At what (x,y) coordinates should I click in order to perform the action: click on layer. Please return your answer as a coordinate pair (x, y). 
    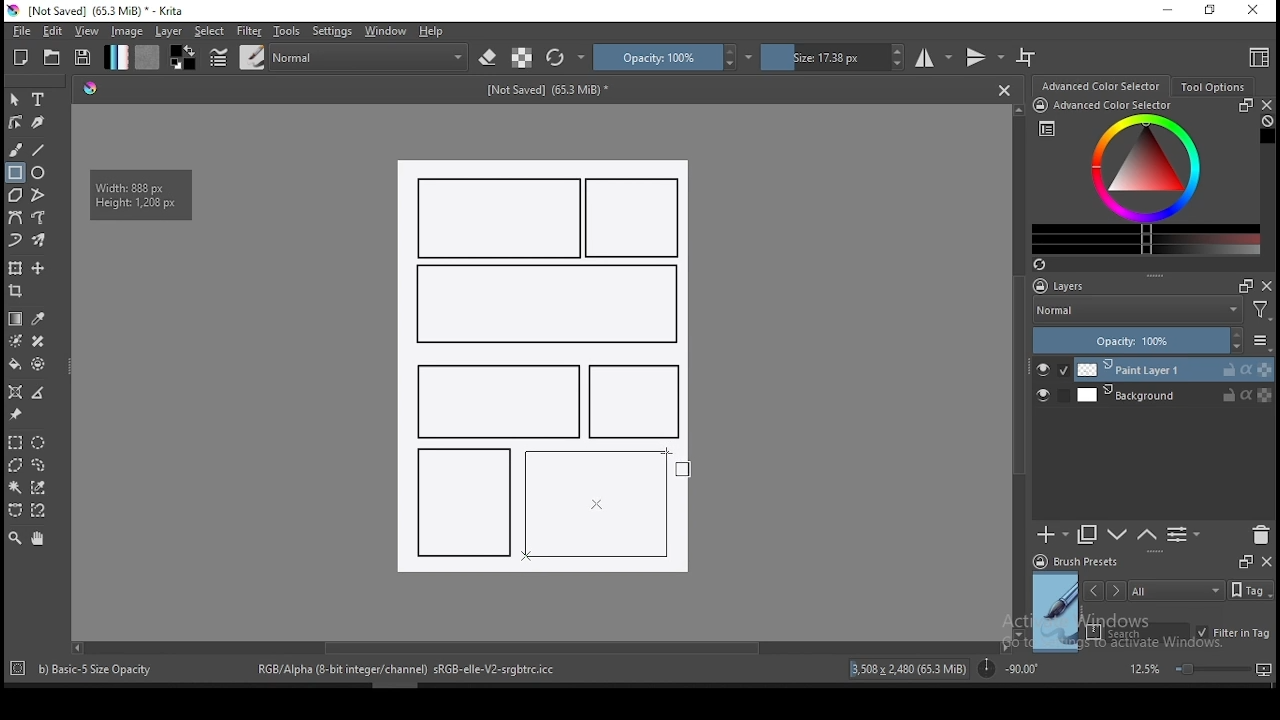
    Looking at the image, I should click on (1174, 395).